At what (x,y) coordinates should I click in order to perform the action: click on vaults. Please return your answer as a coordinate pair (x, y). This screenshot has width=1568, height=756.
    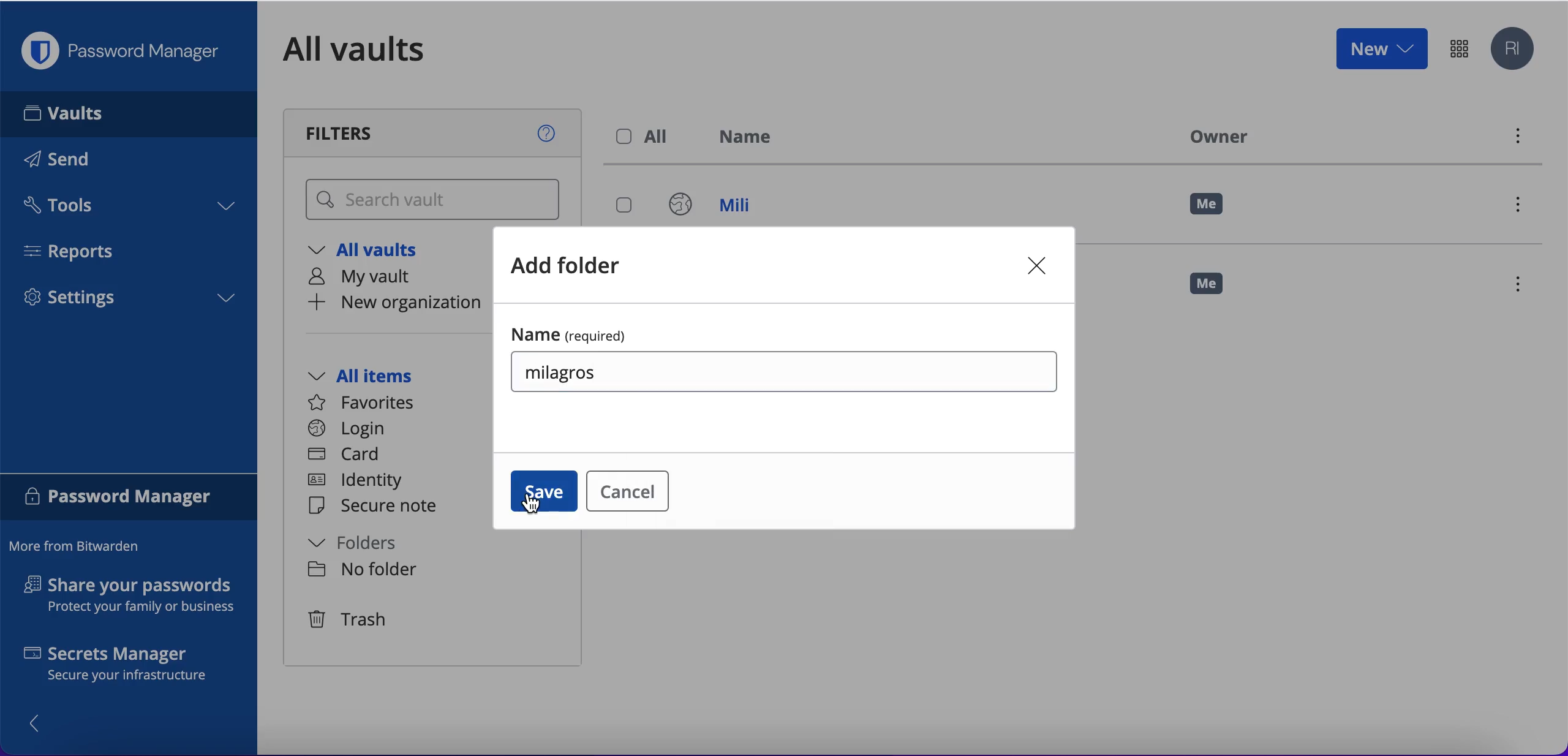
    Looking at the image, I should click on (129, 113).